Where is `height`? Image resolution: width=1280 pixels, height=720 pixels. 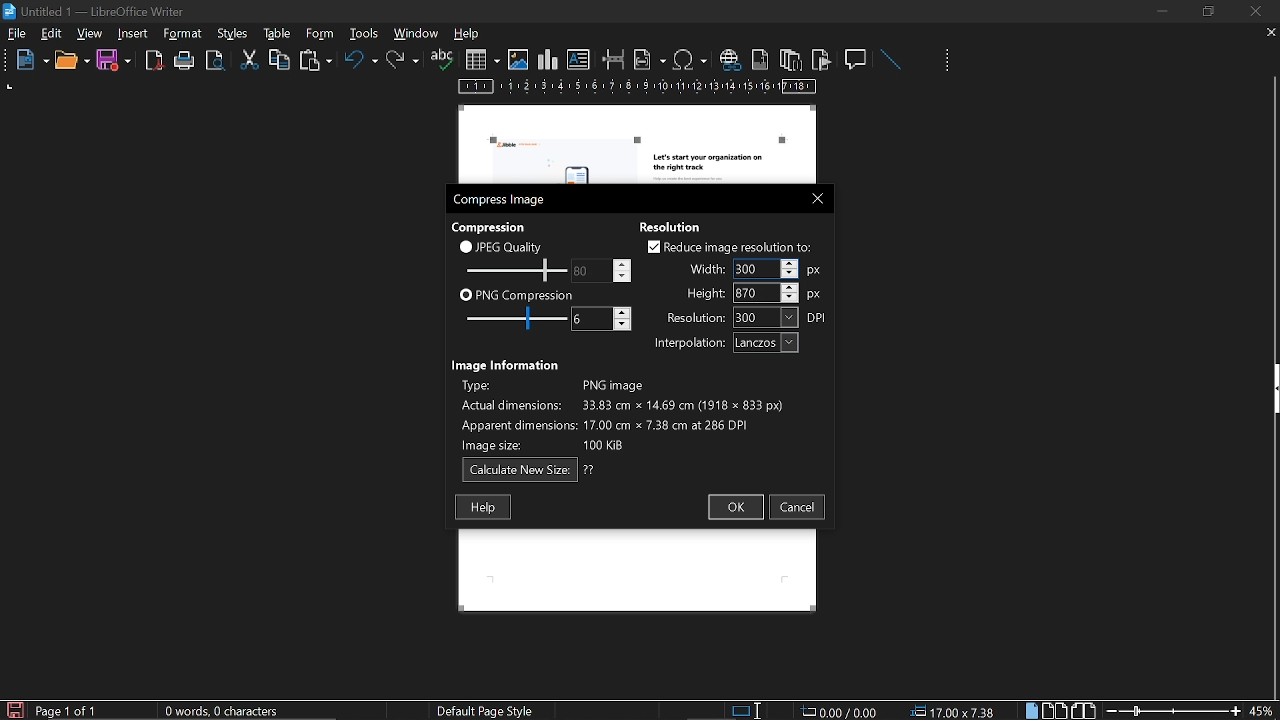 height is located at coordinates (754, 292).